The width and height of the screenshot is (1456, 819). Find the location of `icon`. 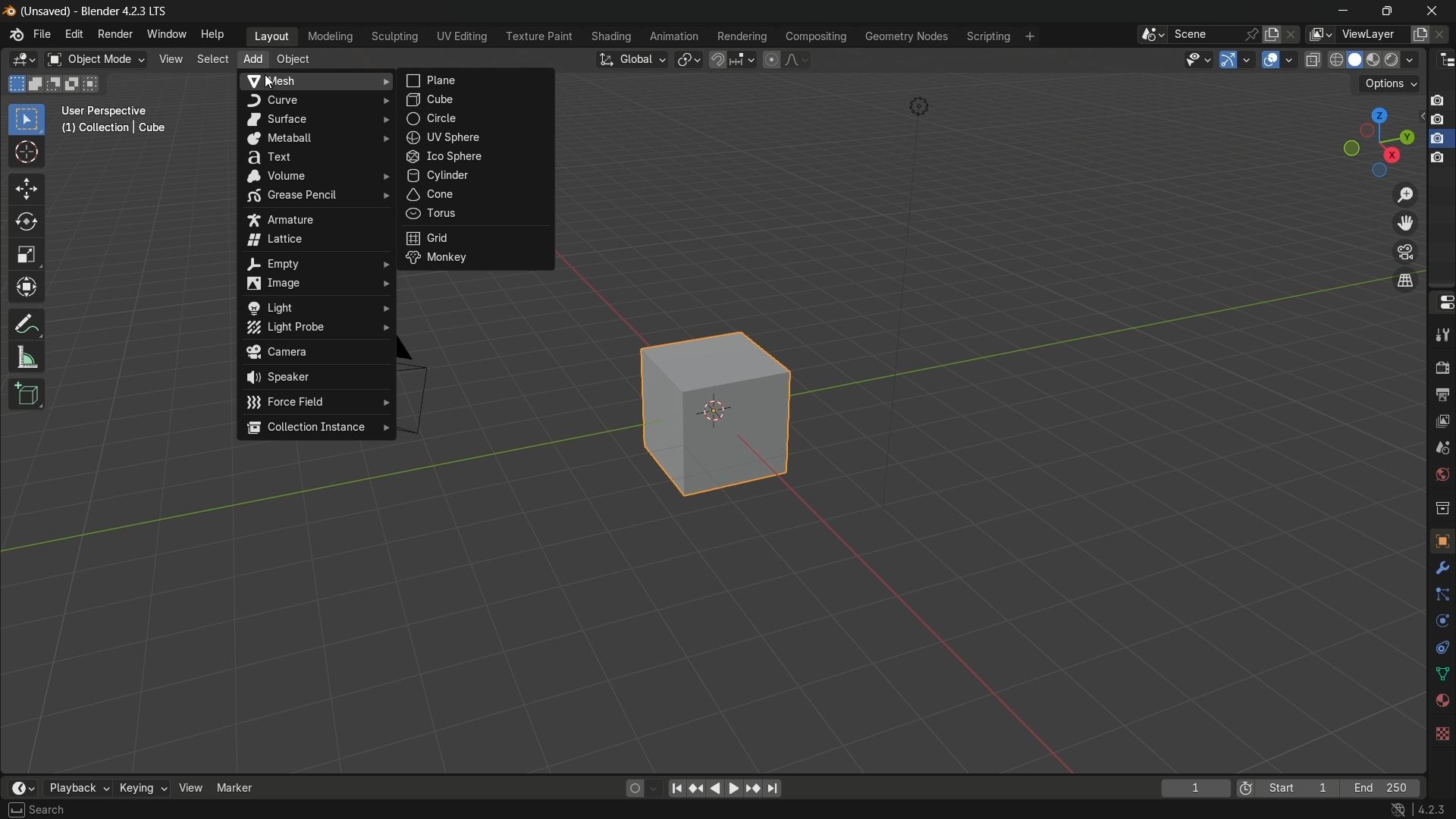

icon is located at coordinates (1246, 790).